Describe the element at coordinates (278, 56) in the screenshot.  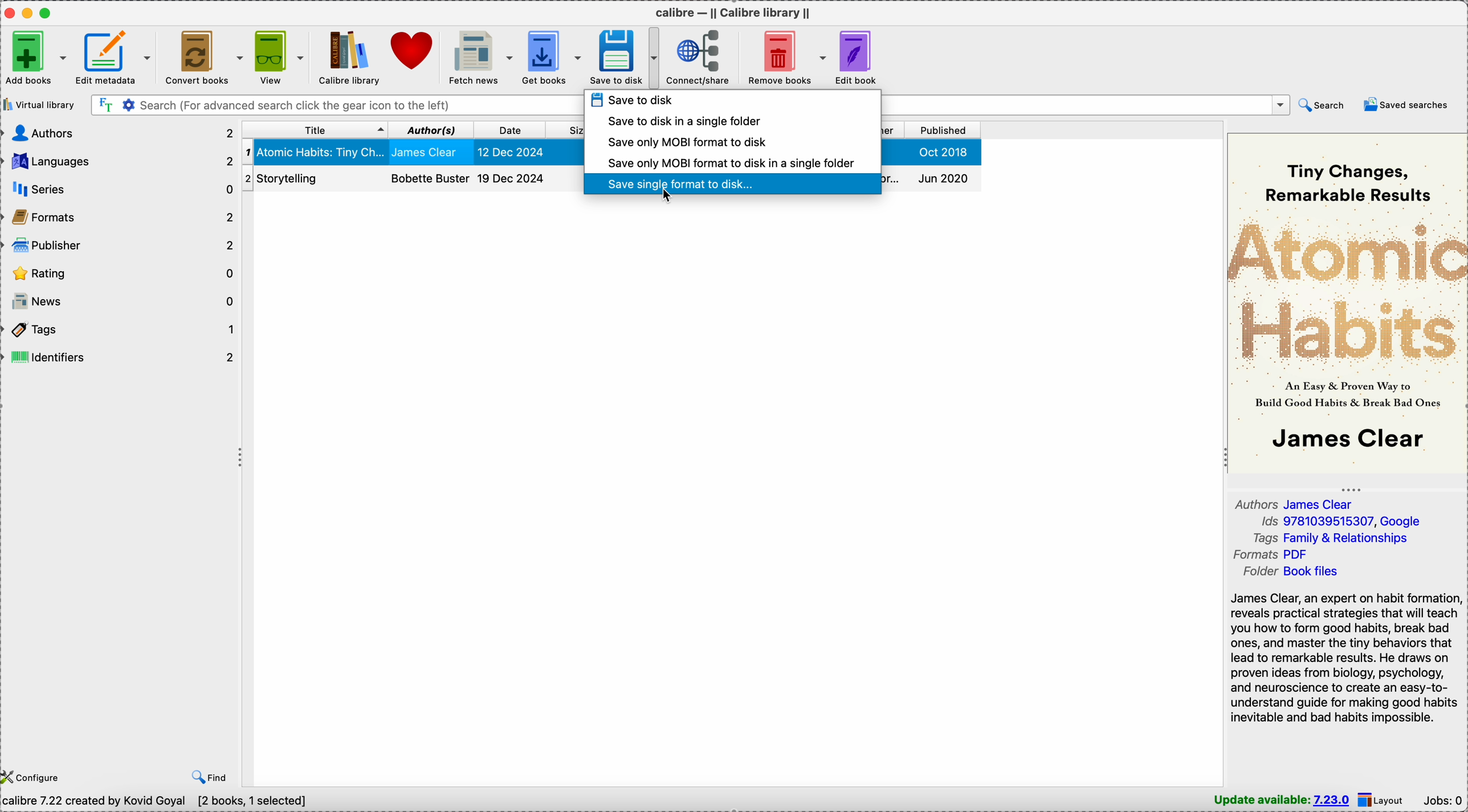
I see `view` at that location.